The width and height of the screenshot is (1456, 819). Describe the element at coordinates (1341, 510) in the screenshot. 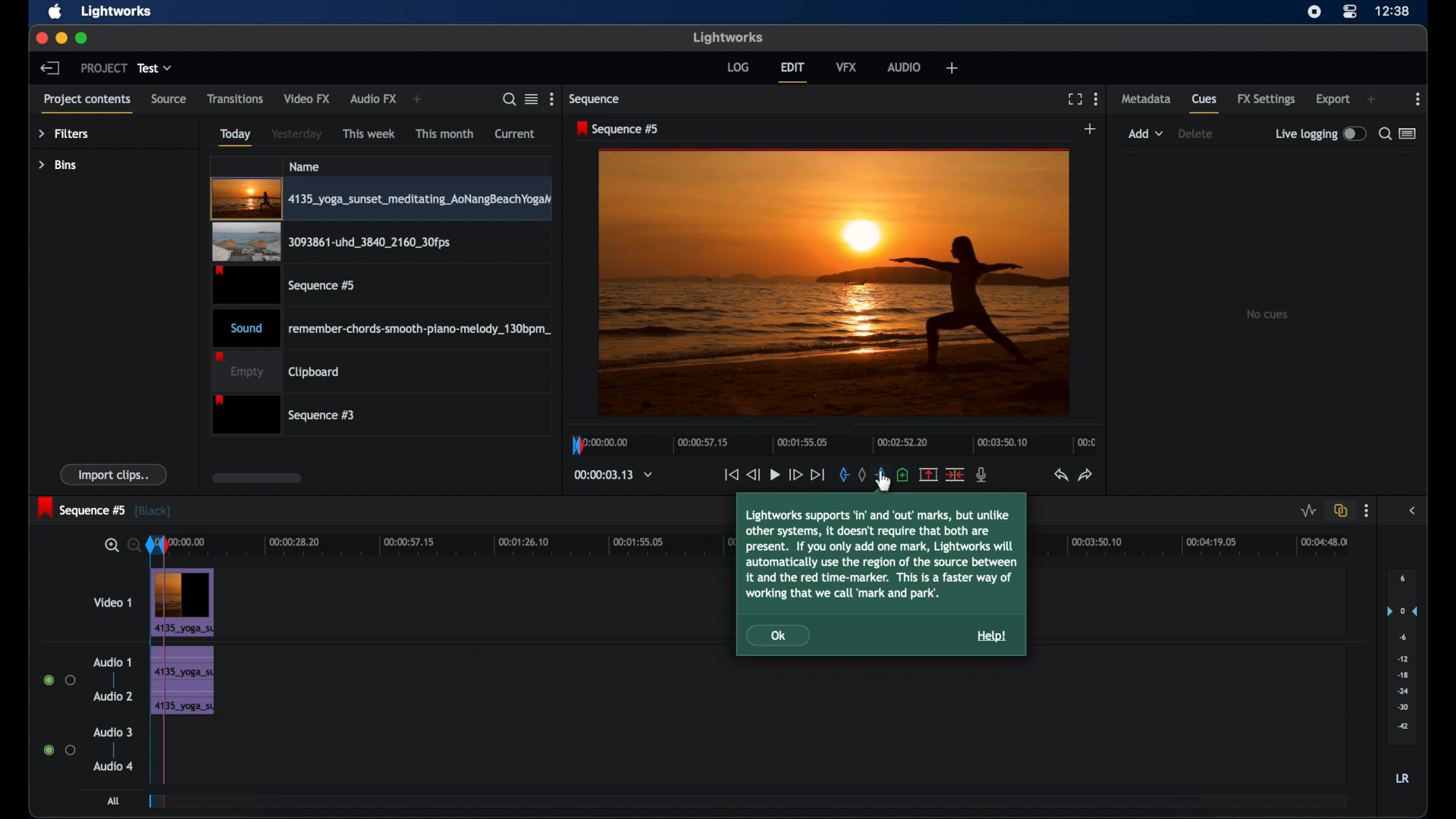

I see `toggle auto track synd` at that location.